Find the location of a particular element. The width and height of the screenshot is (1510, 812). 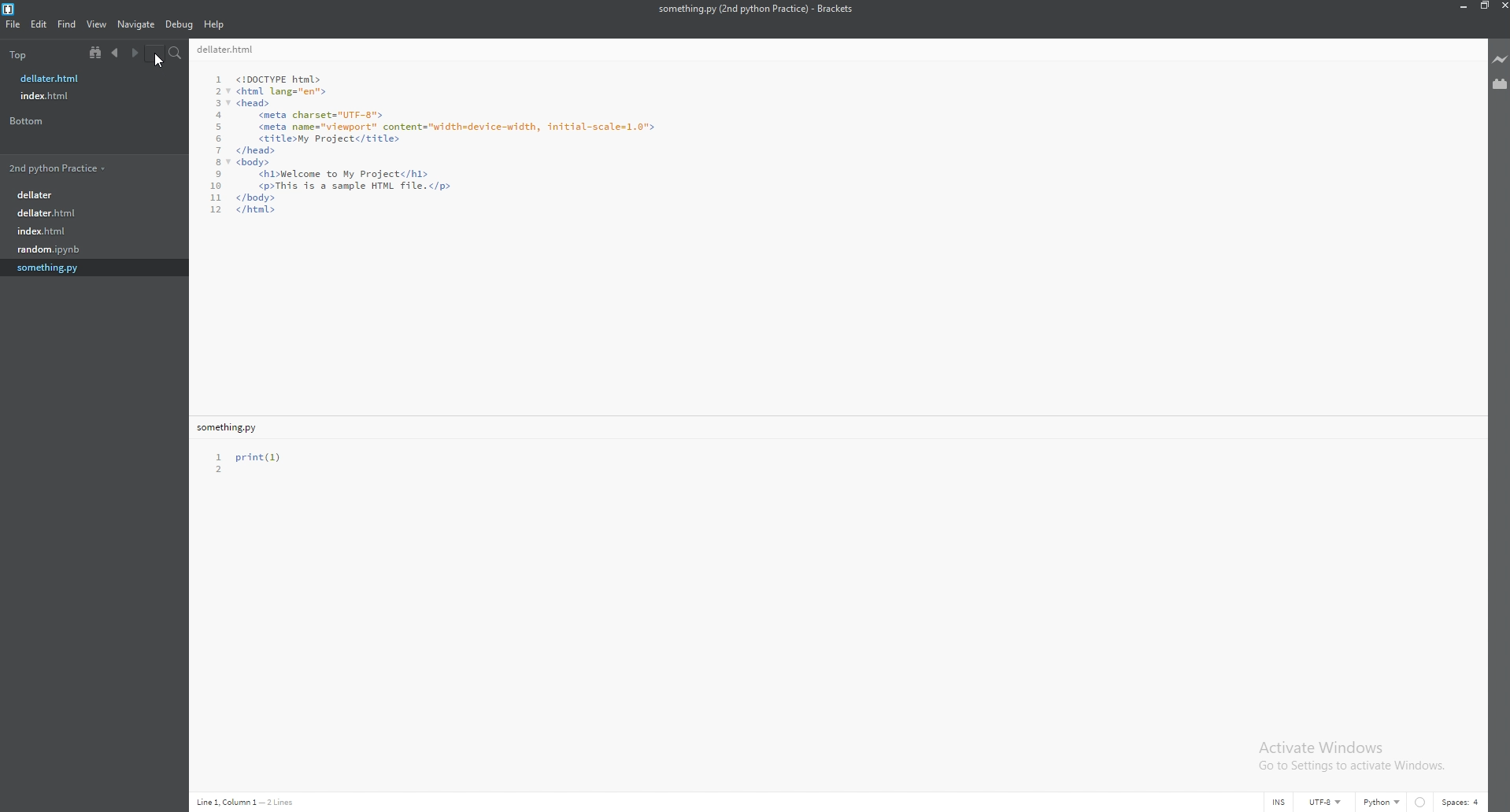

navigate is located at coordinates (137, 24).